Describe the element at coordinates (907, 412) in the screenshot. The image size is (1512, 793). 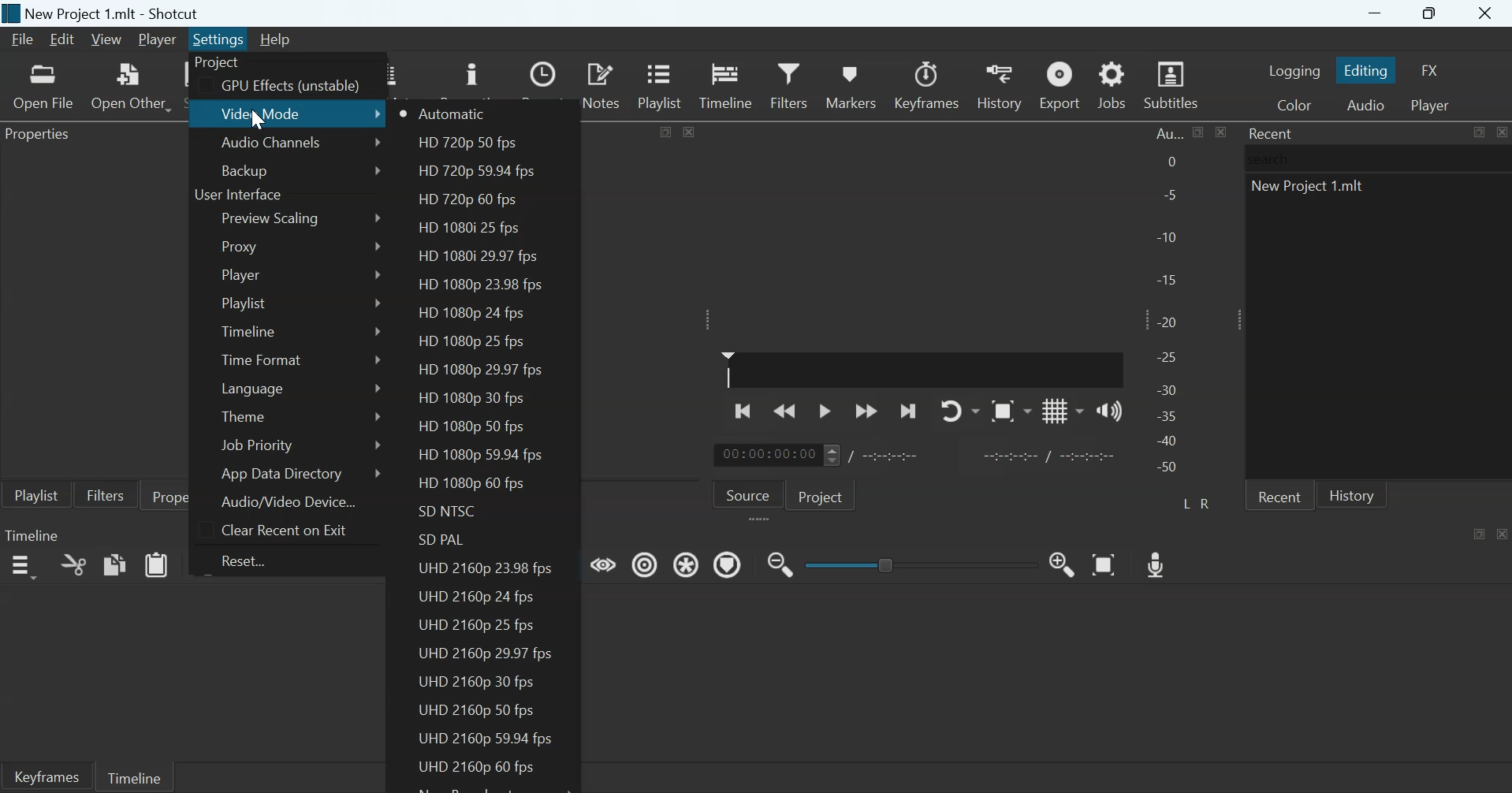
I see `Skip to the next point` at that location.